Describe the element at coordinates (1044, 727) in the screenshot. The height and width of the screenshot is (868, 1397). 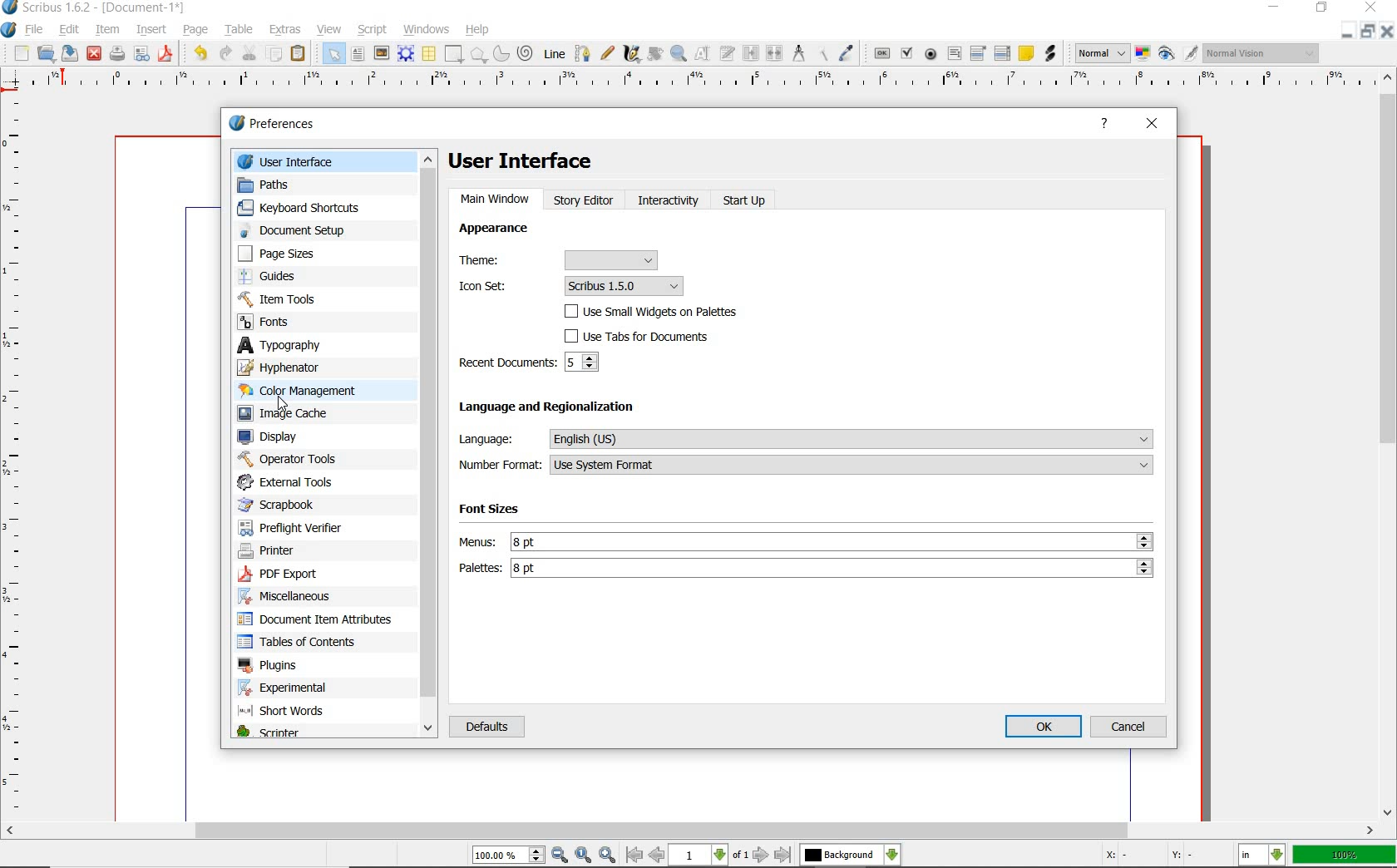
I see `OK` at that location.